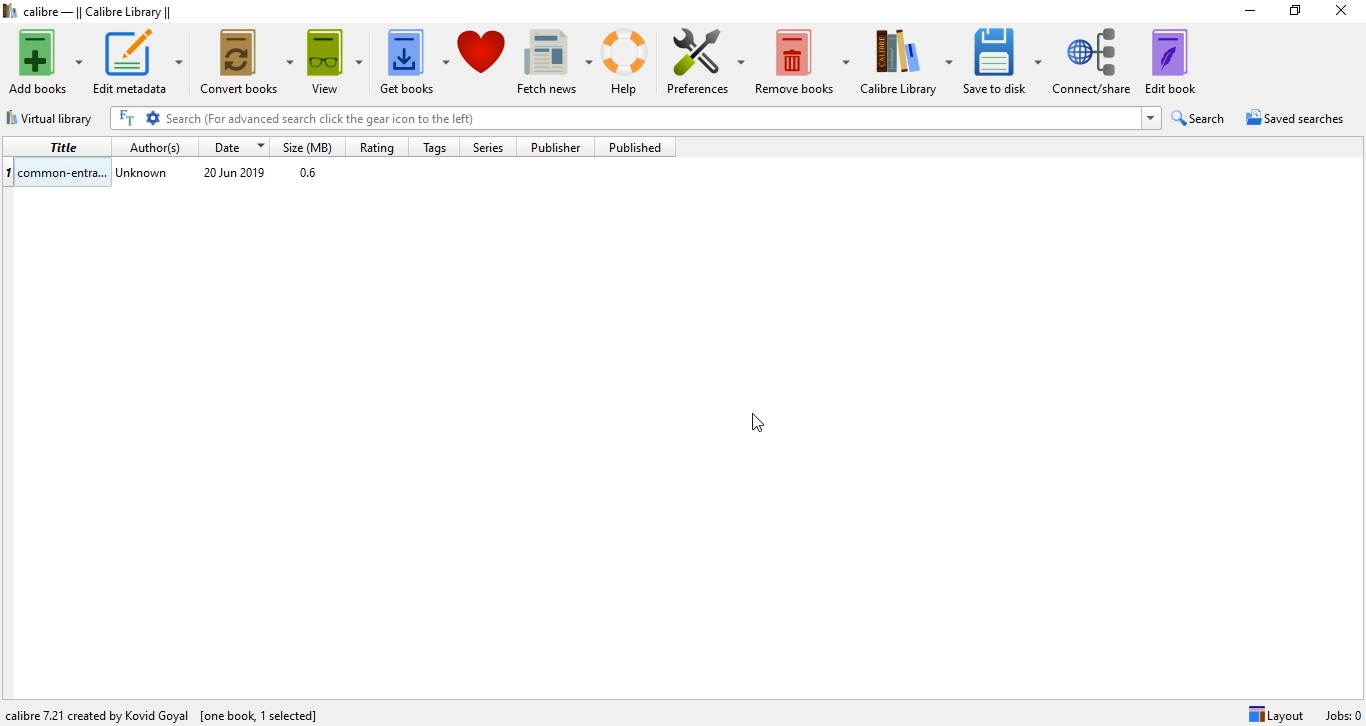 This screenshot has height=726, width=1366. What do you see at coordinates (709, 55) in the screenshot?
I see `Preference` at bounding box center [709, 55].